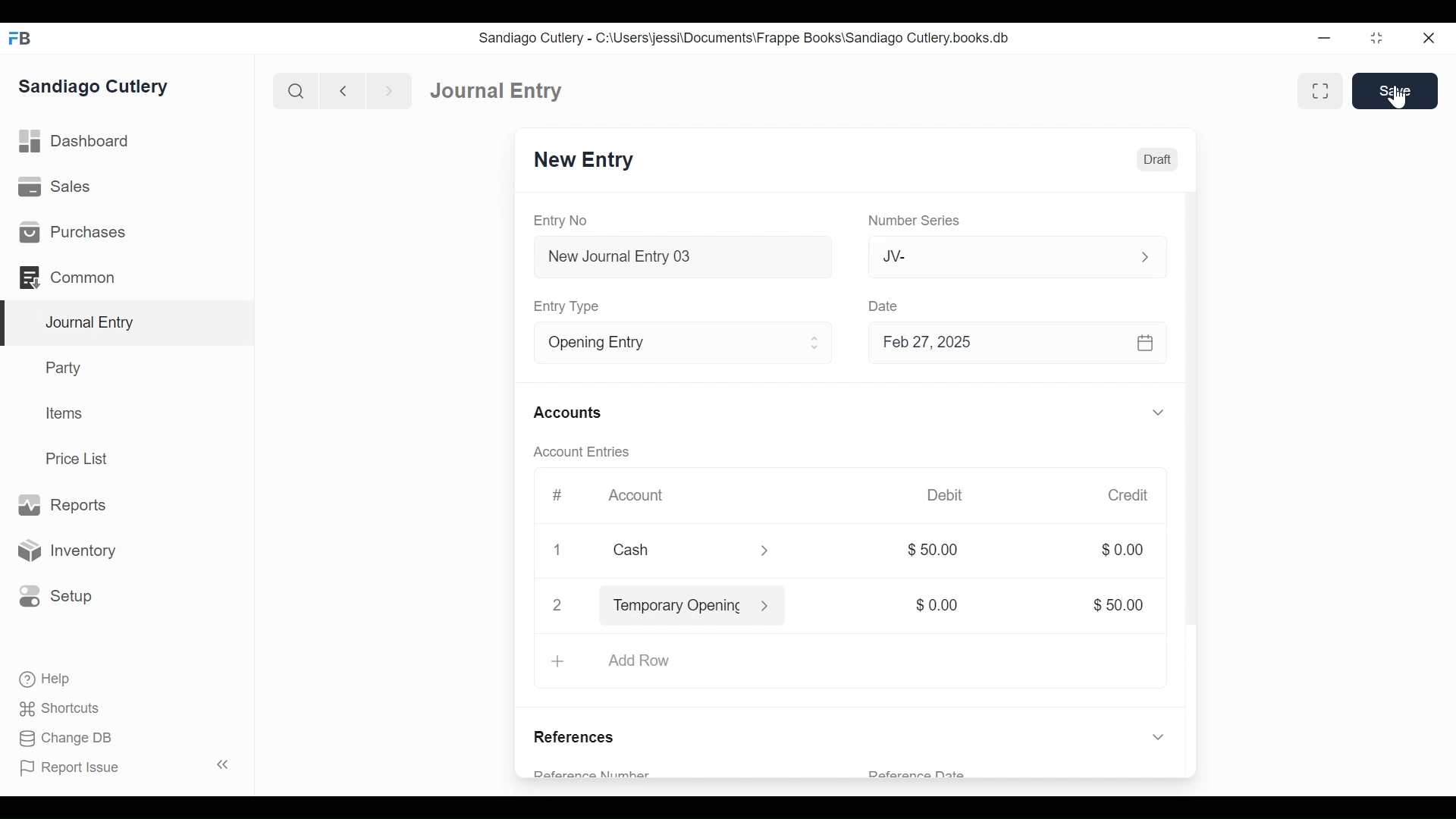  What do you see at coordinates (560, 551) in the screenshot?
I see `Close` at bounding box center [560, 551].